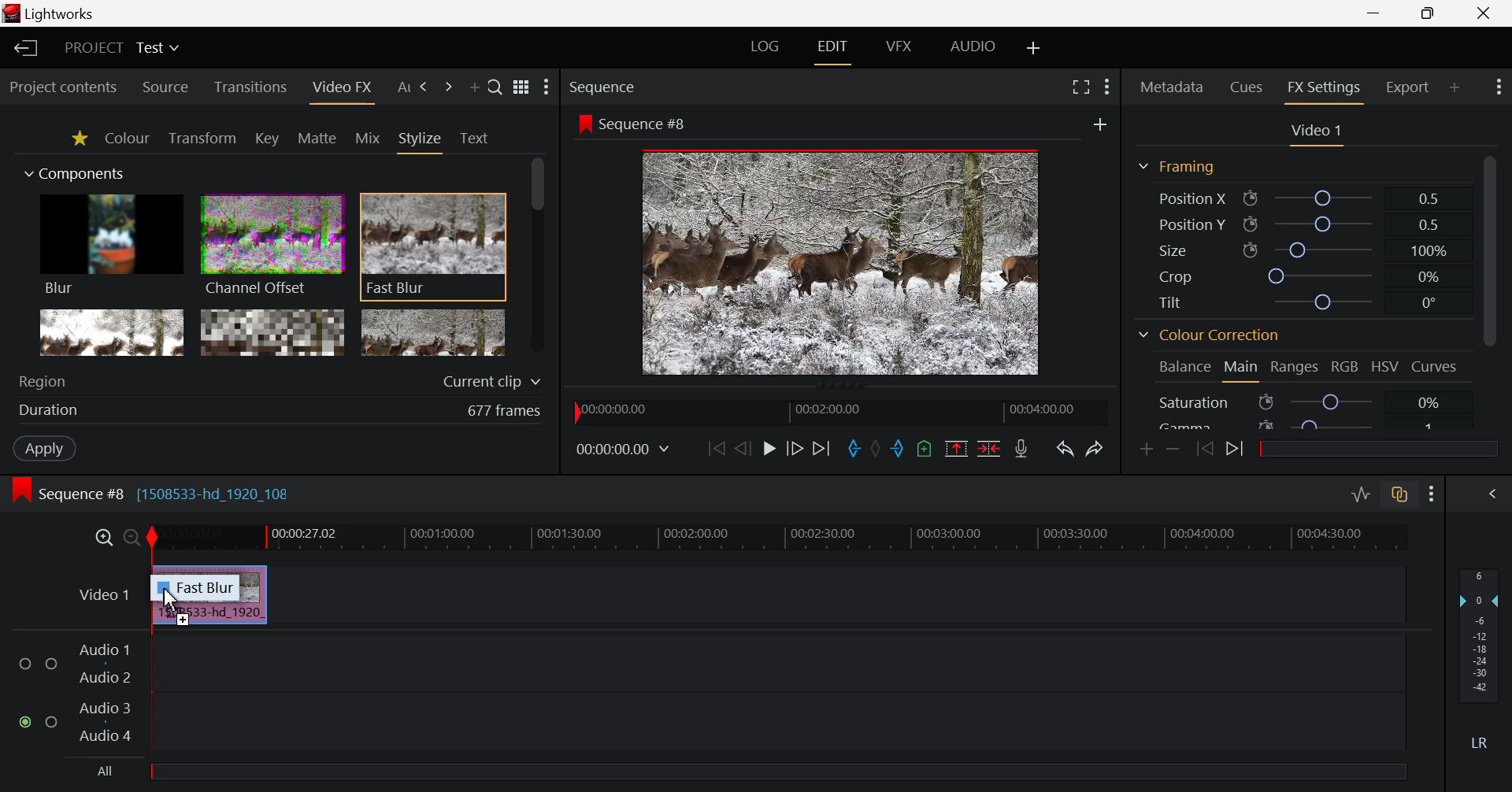 This screenshot has height=792, width=1512. Describe the element at coordinates (1210, 335) in the screenshot. I see `Colour Correction Section` at that location.